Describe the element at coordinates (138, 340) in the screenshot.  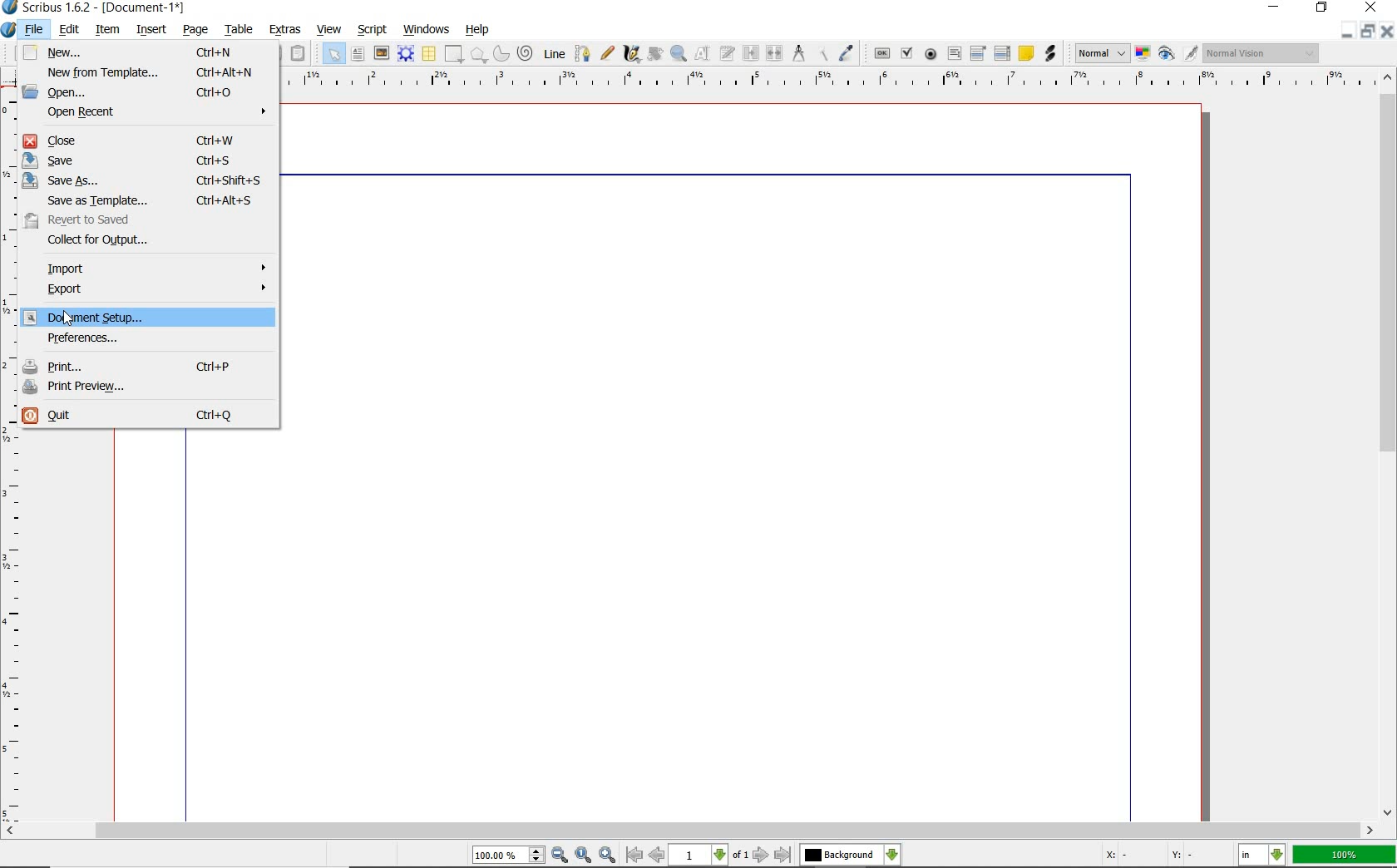
I see `PREFERENCES` at that location.